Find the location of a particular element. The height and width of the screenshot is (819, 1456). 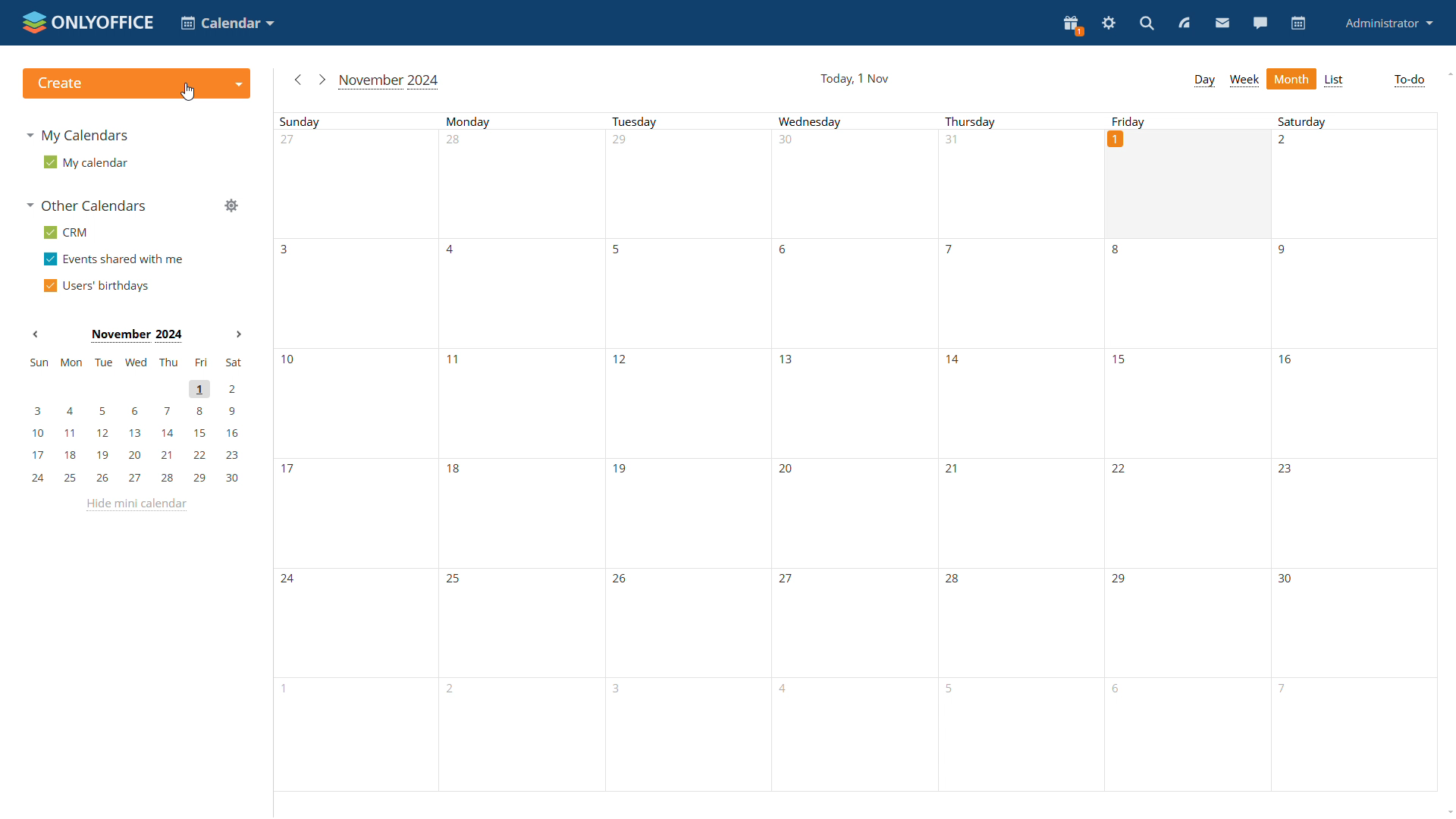

scroll down is located at coordinates (1447, 813).